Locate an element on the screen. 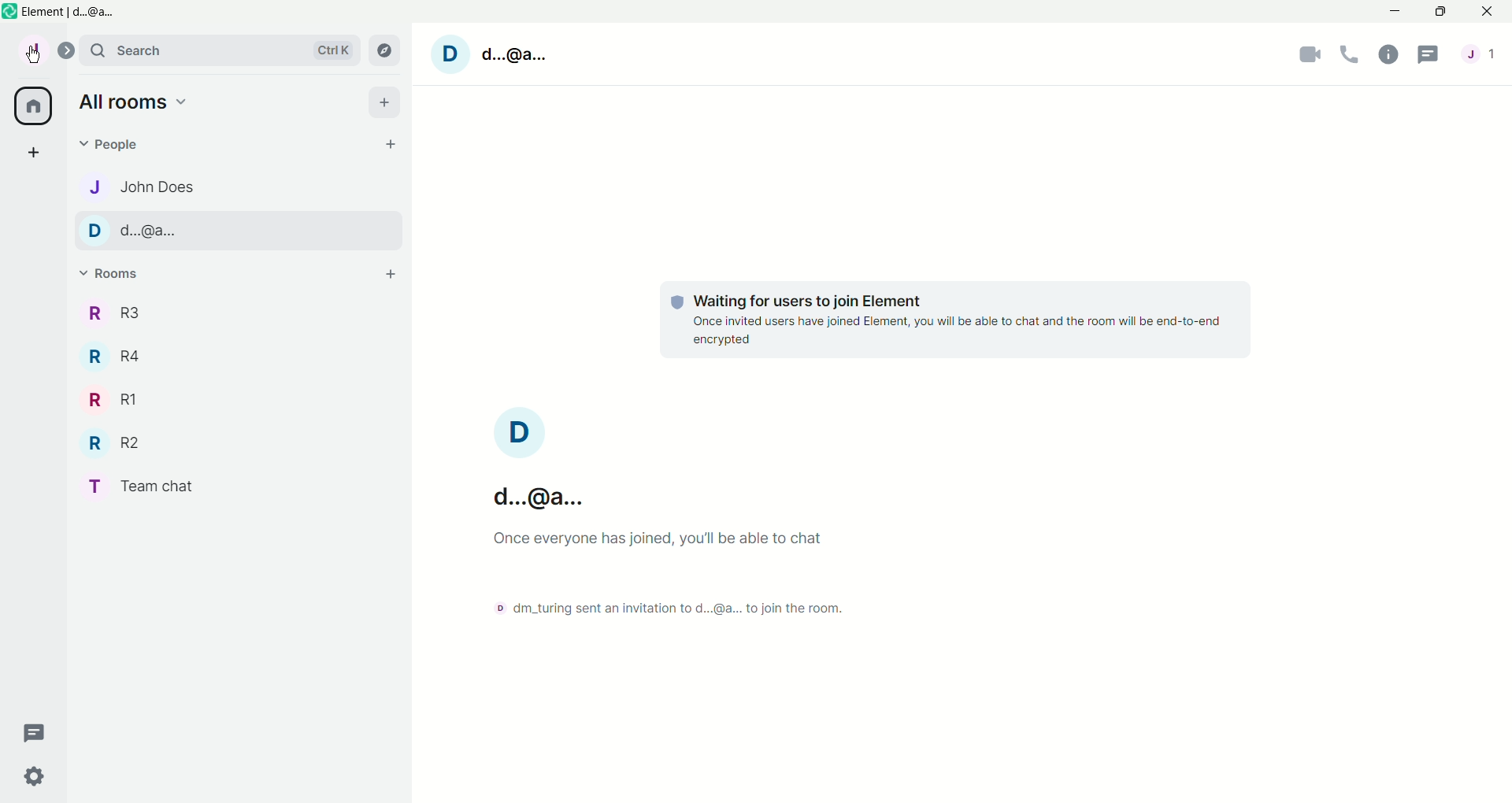 The image size is (1512, 803). d...@a... - Contact name is located at coordinates (239, 231).